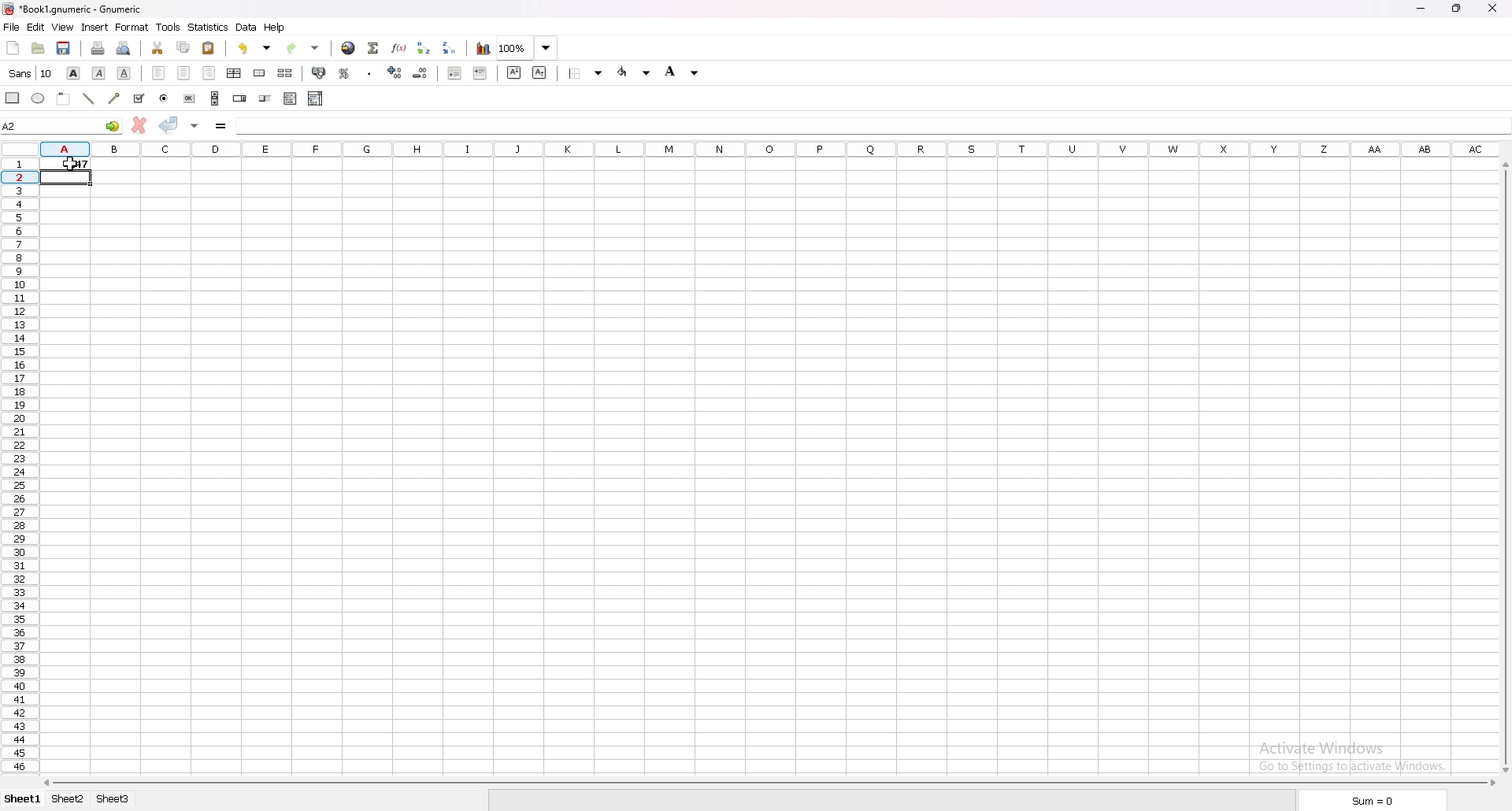 The width and height of the screenshot is (1512, 811). What do you see at coordinates (398, 48) in the screenshot?
I see `function` at bounding box center [398, 48].